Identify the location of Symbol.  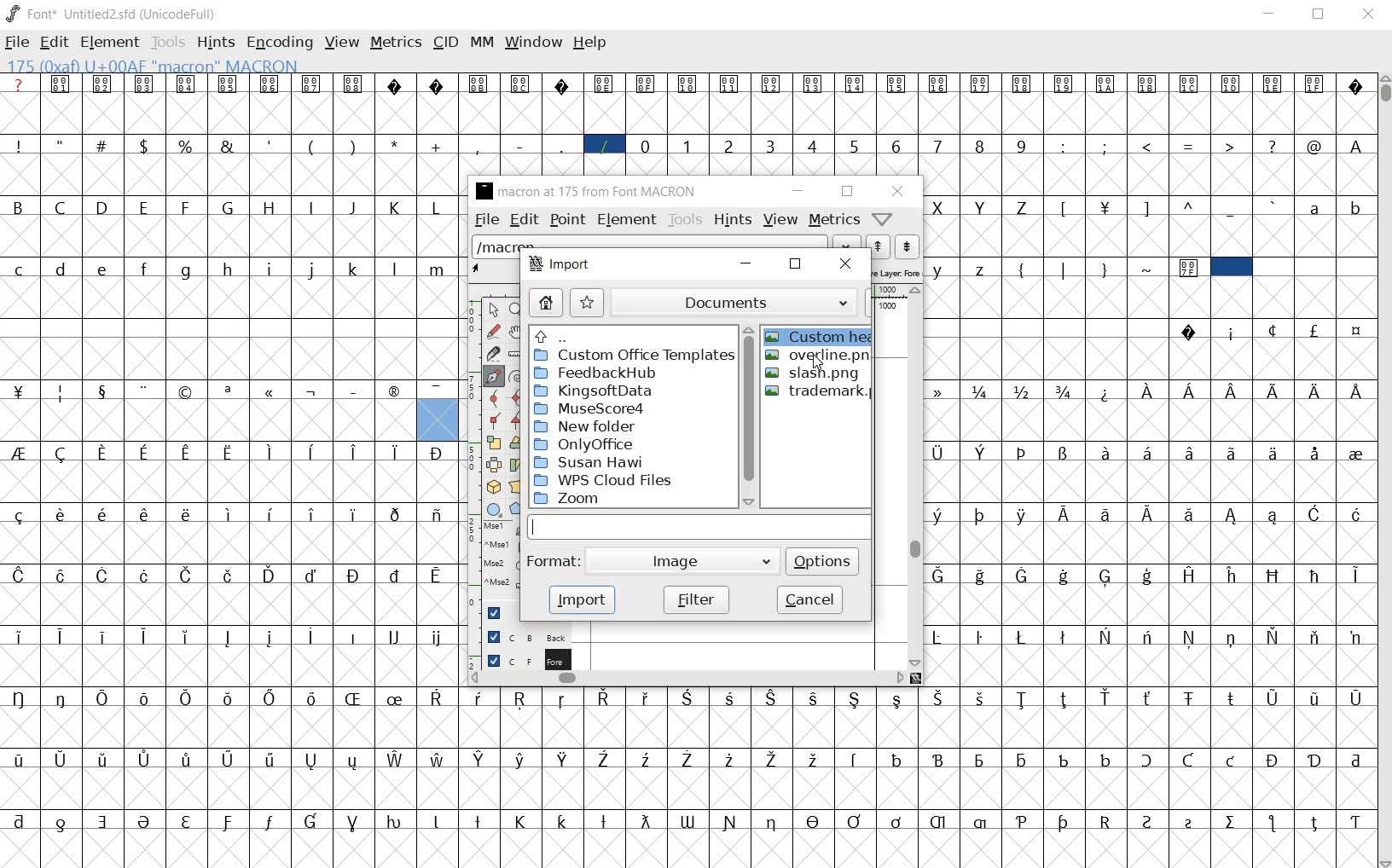
(229, 575).